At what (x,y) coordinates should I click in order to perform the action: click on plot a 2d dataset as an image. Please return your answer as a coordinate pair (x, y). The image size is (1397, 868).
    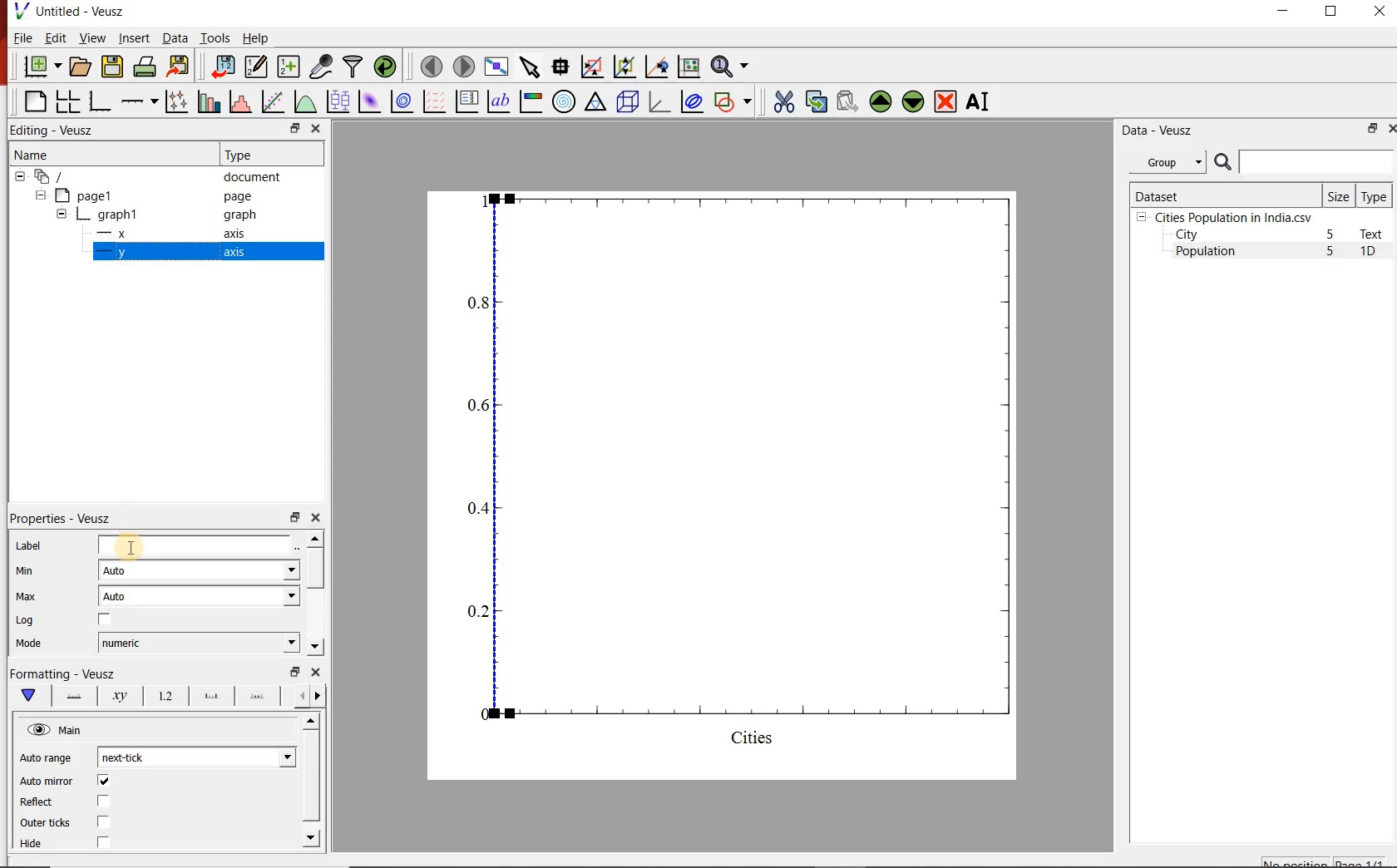
    Looking at the image, I should click on (368, 100).